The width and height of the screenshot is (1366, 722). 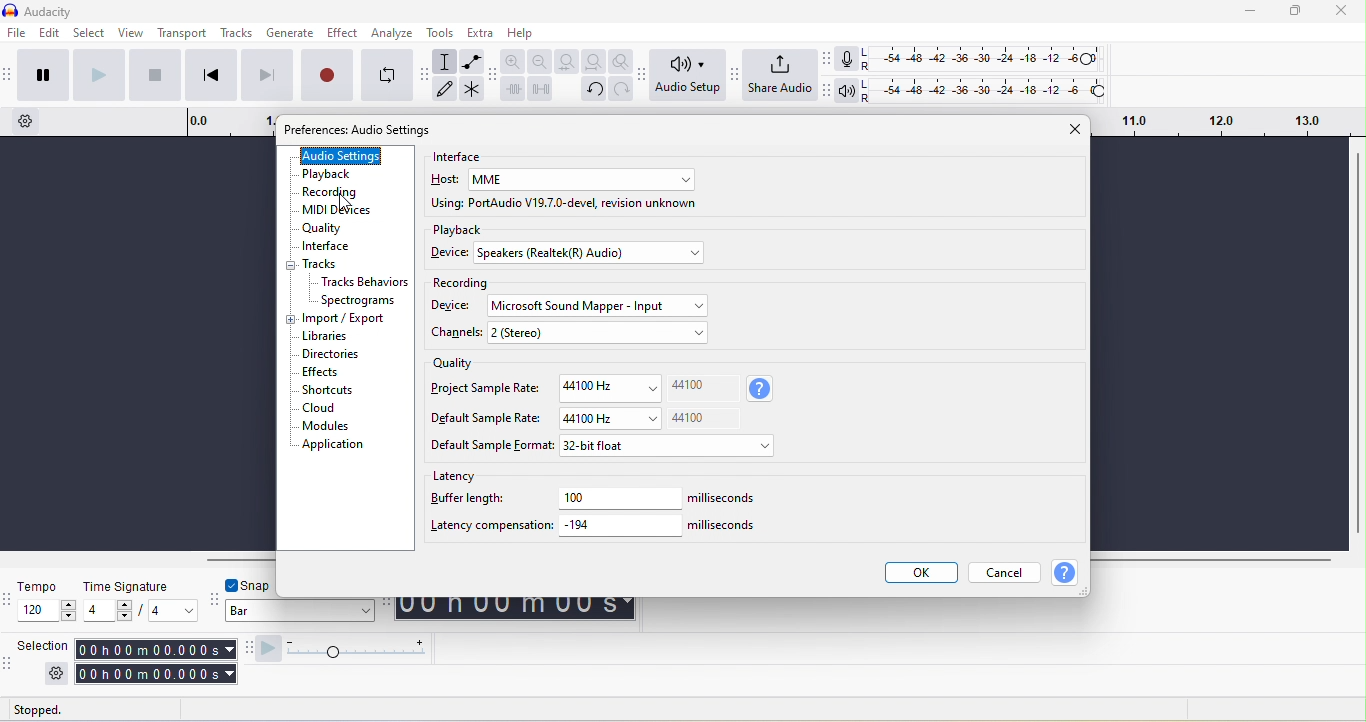 What do you see at coordinates (250, 647) in the screenshot?
I see `audacity play at speed` at bounding box center [250, 647].